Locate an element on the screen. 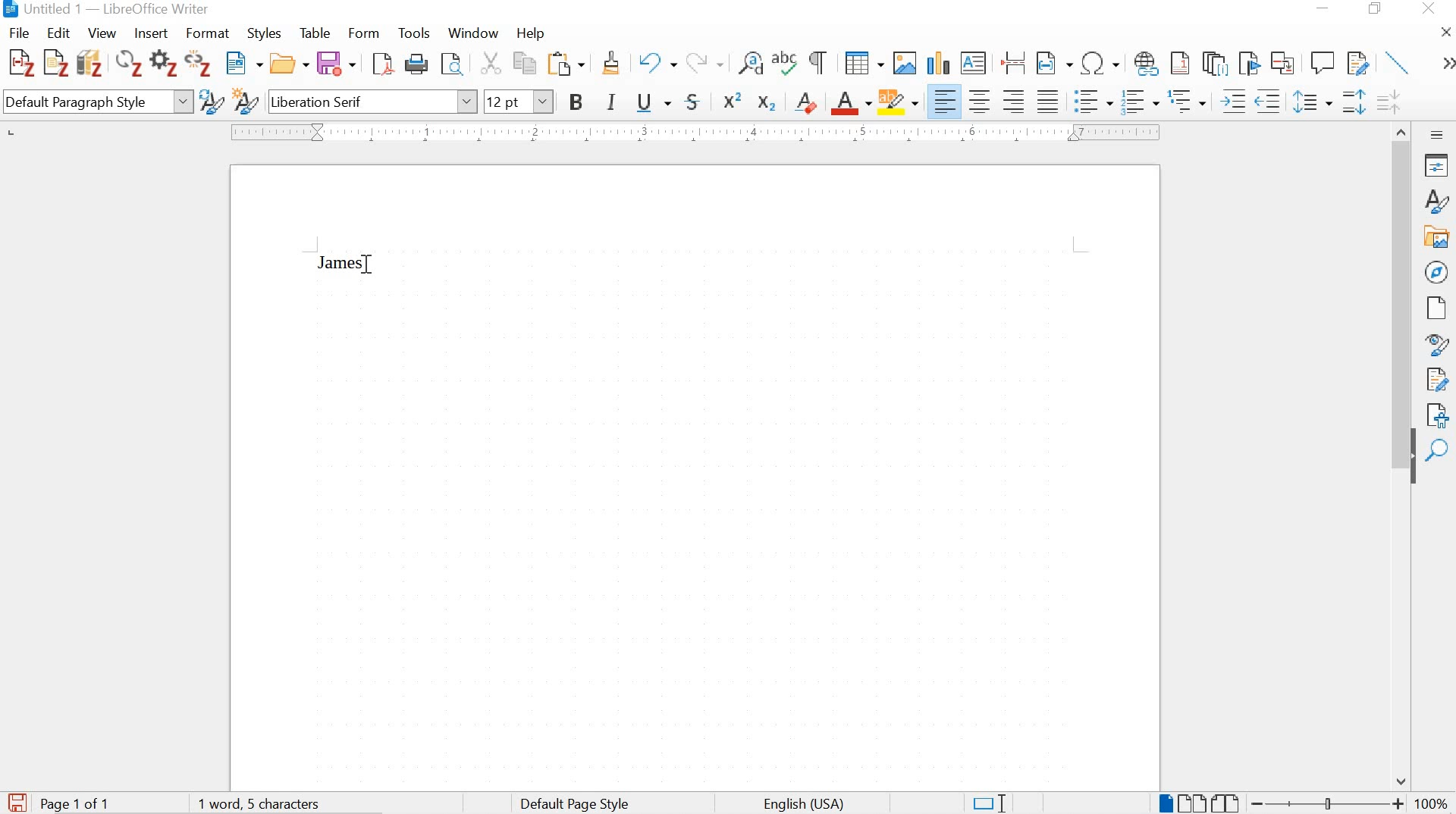  format is located at coordinates (209, 34).